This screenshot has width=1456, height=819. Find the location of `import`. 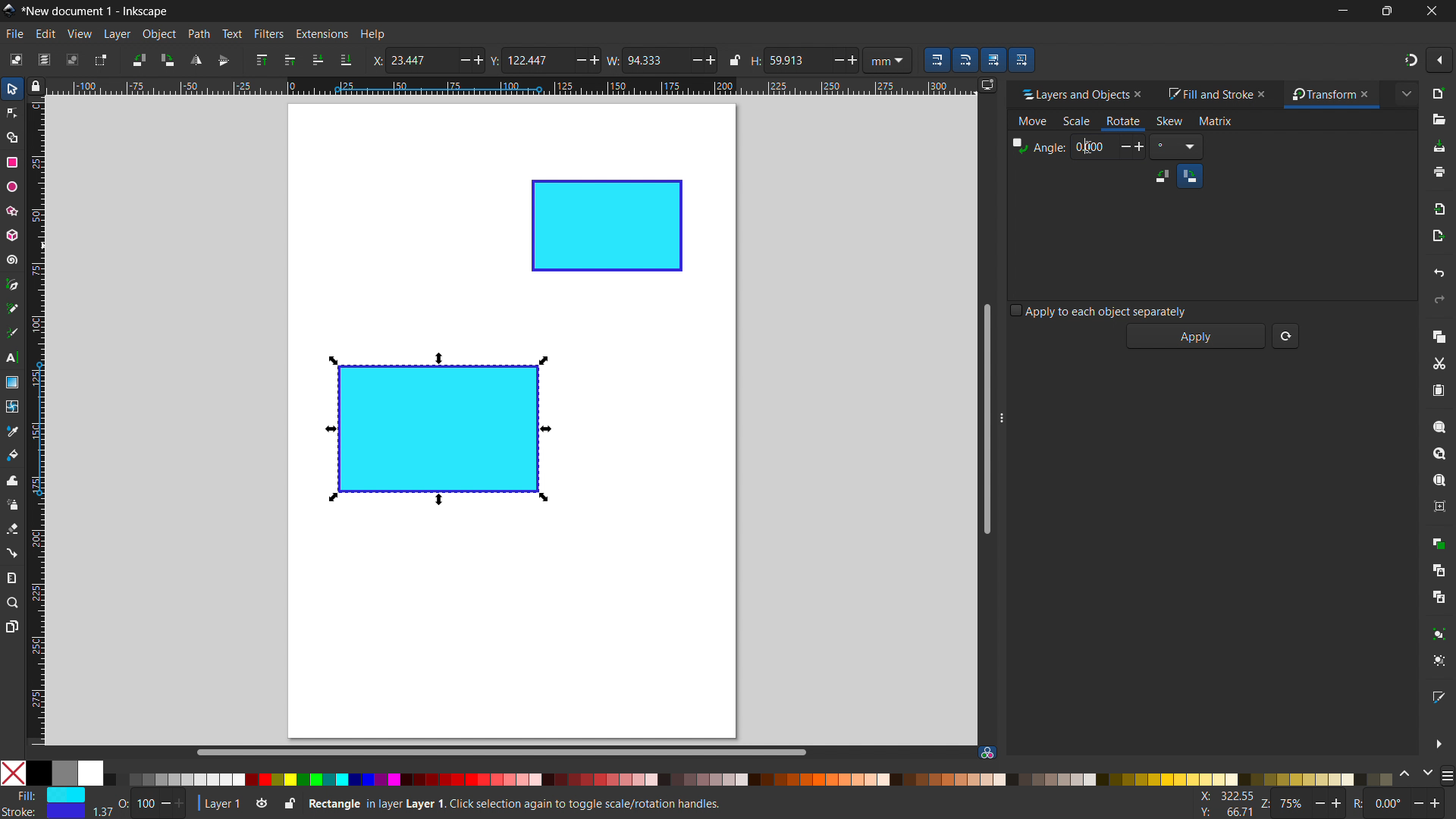

import is located at coordinates (1441, 208).